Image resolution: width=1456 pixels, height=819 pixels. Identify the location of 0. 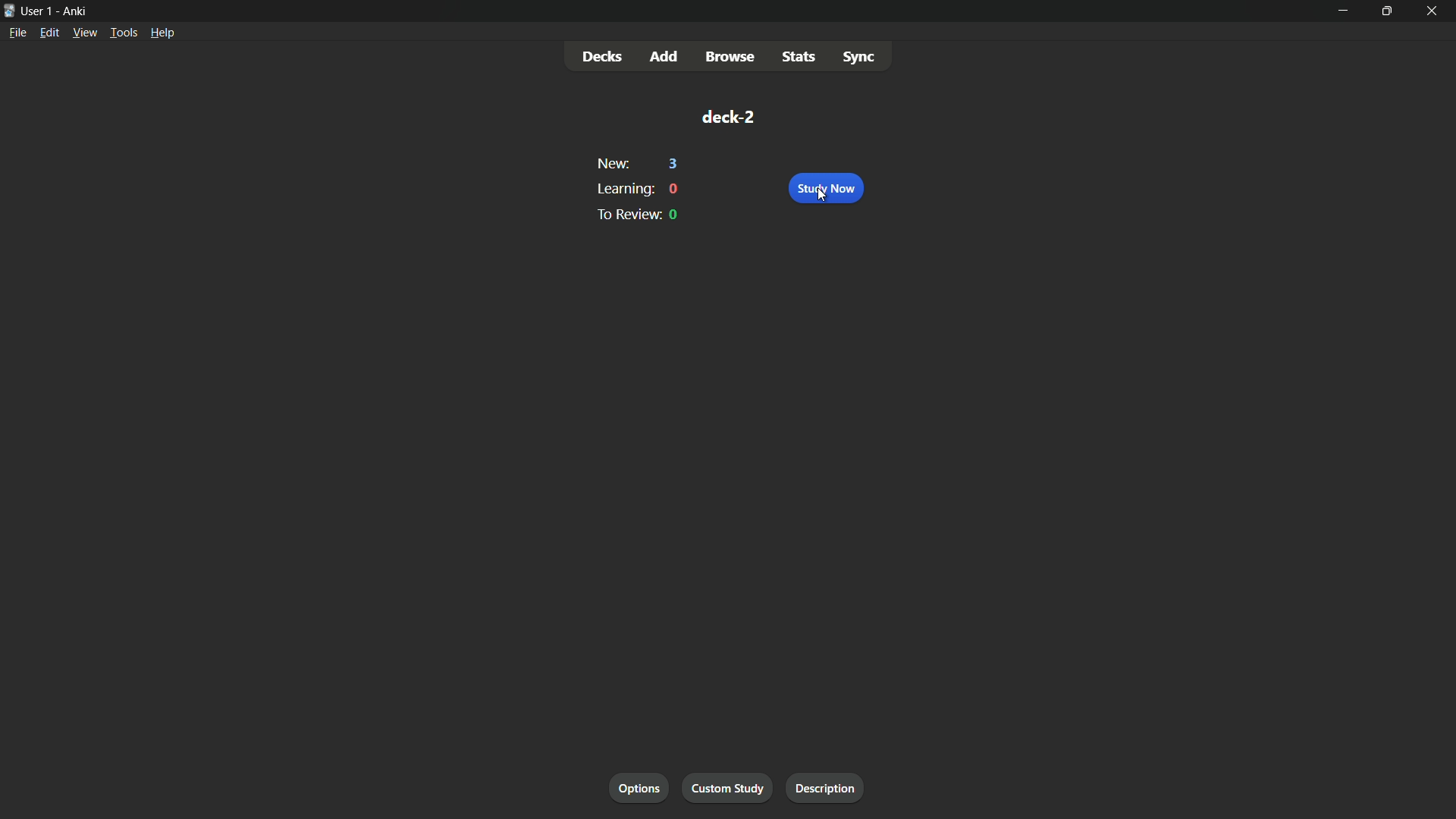
(673, 216).